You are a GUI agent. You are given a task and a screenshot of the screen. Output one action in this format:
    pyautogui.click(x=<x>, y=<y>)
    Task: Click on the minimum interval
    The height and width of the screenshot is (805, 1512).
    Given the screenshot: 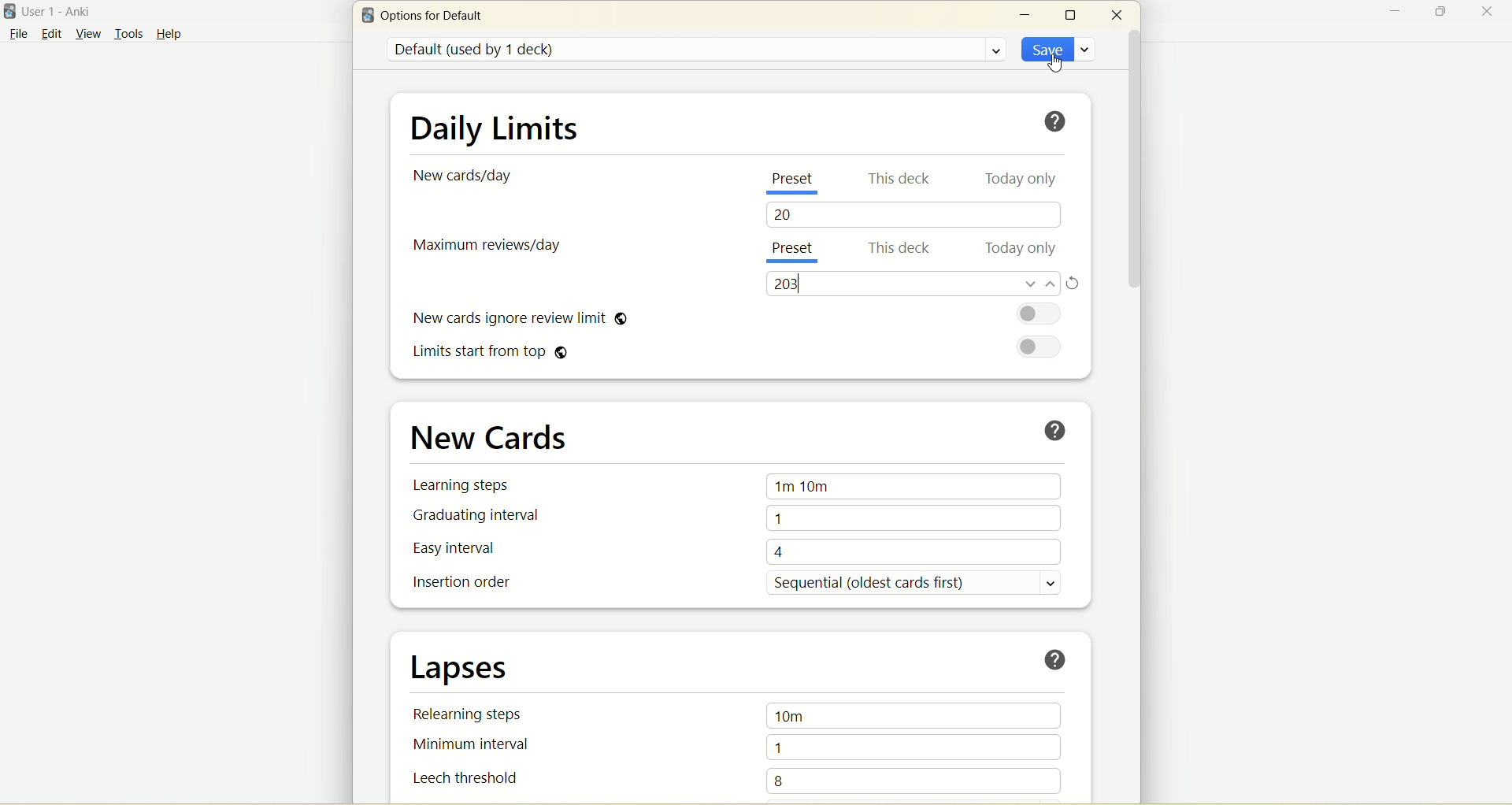 What is the action you would take?
    pyautogui.click(x=465, y=745)
    